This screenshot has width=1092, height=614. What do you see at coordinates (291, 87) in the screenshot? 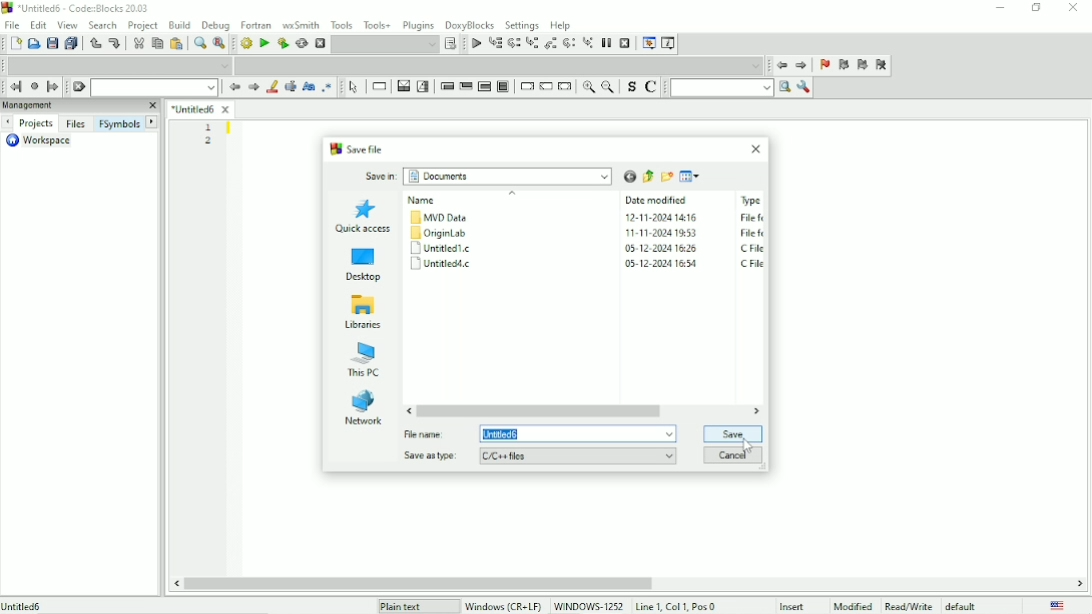
I see `Selected text` at bounding box center [291, 87].